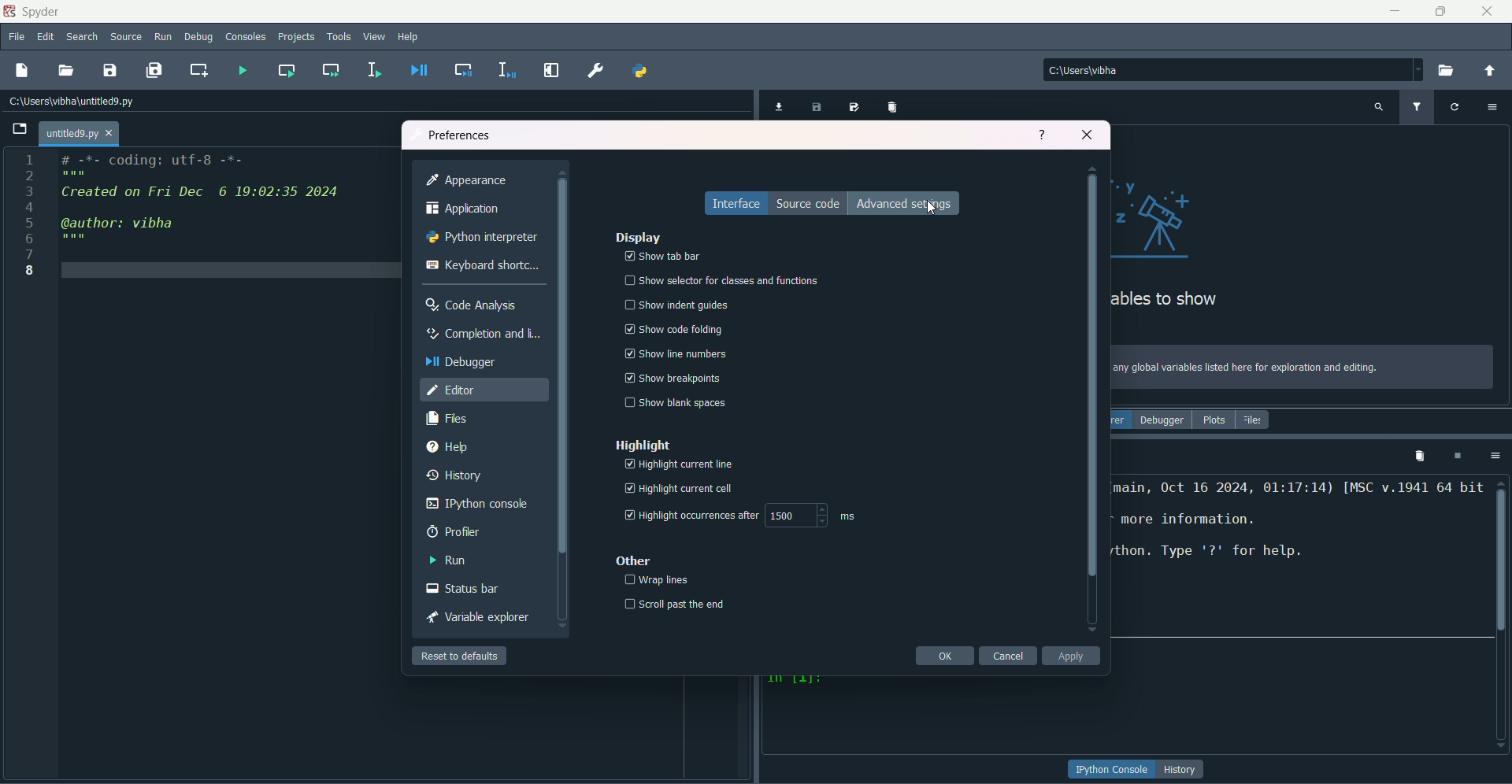 Image resolution: width=1512 pixels, height=784 pixels. I want to click on run, so click(450, 560).